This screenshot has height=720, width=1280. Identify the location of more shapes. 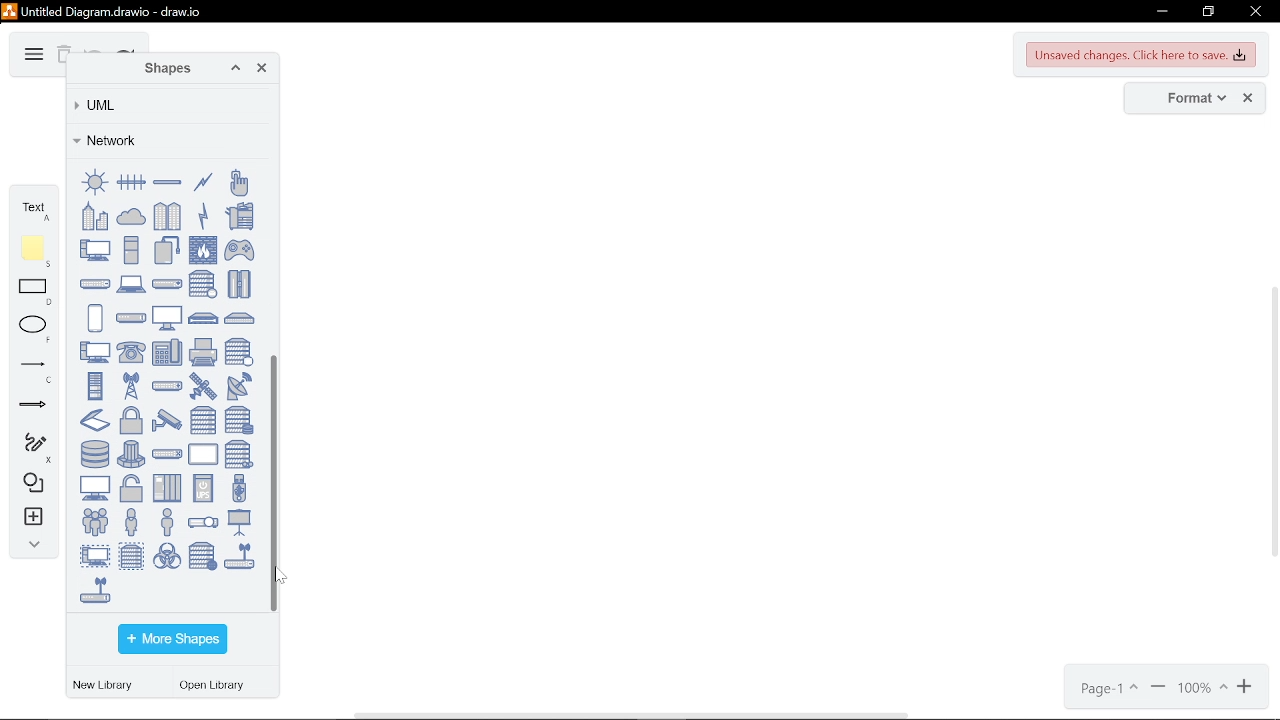
(172, 640).